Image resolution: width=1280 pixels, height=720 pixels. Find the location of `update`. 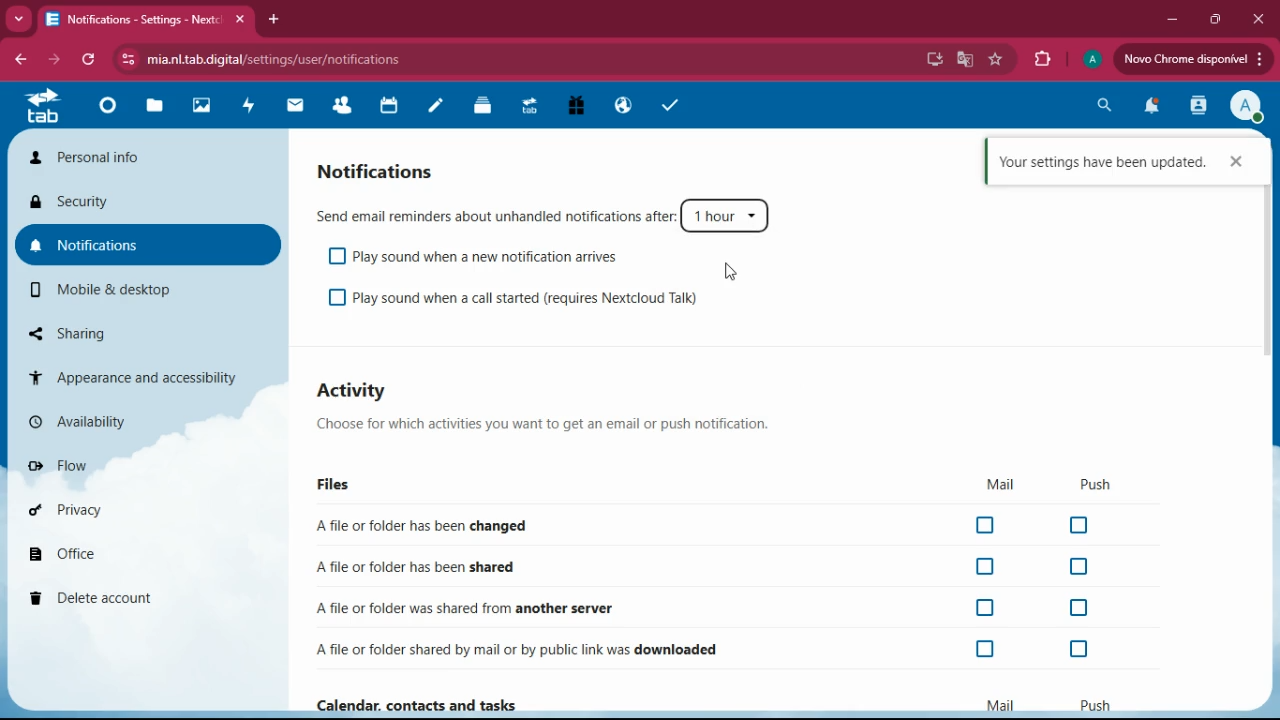

update is located at coordinates (1191, 58).